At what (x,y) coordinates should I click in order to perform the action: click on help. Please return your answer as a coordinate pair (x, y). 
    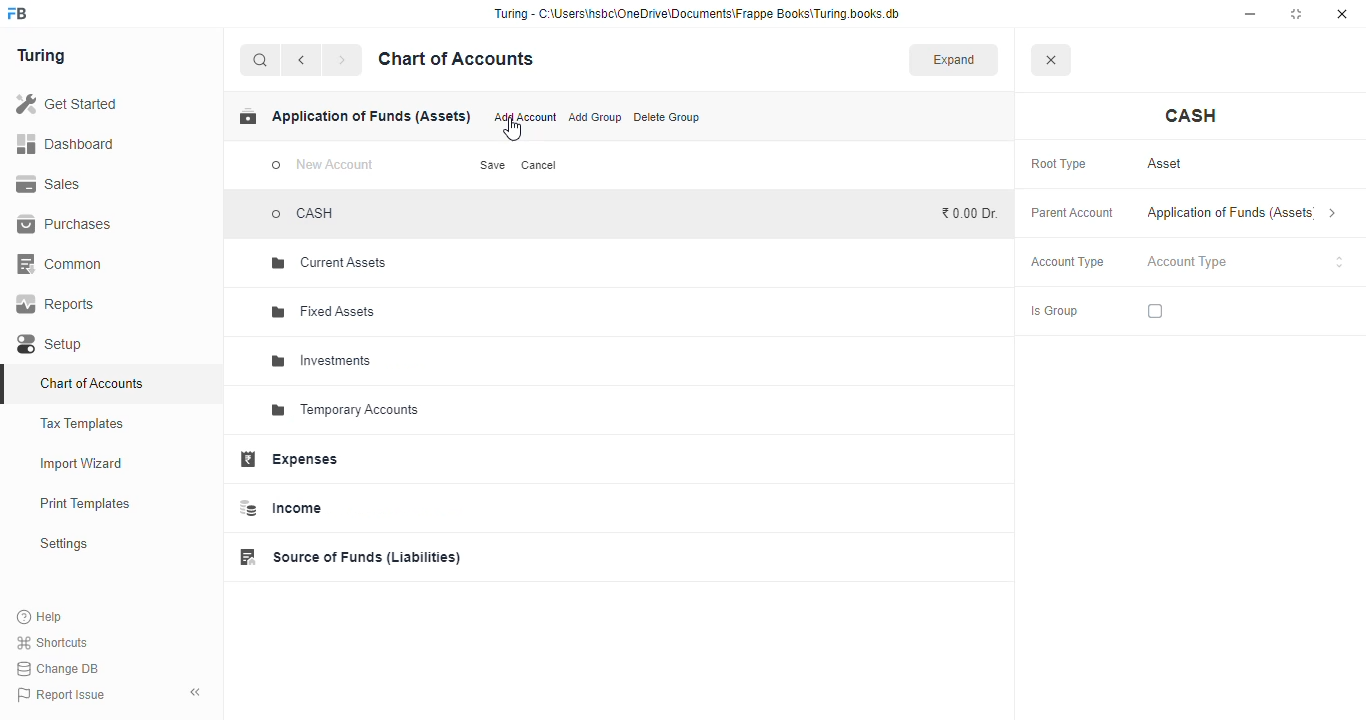
    Looking at the image, I should click on (40, 616).